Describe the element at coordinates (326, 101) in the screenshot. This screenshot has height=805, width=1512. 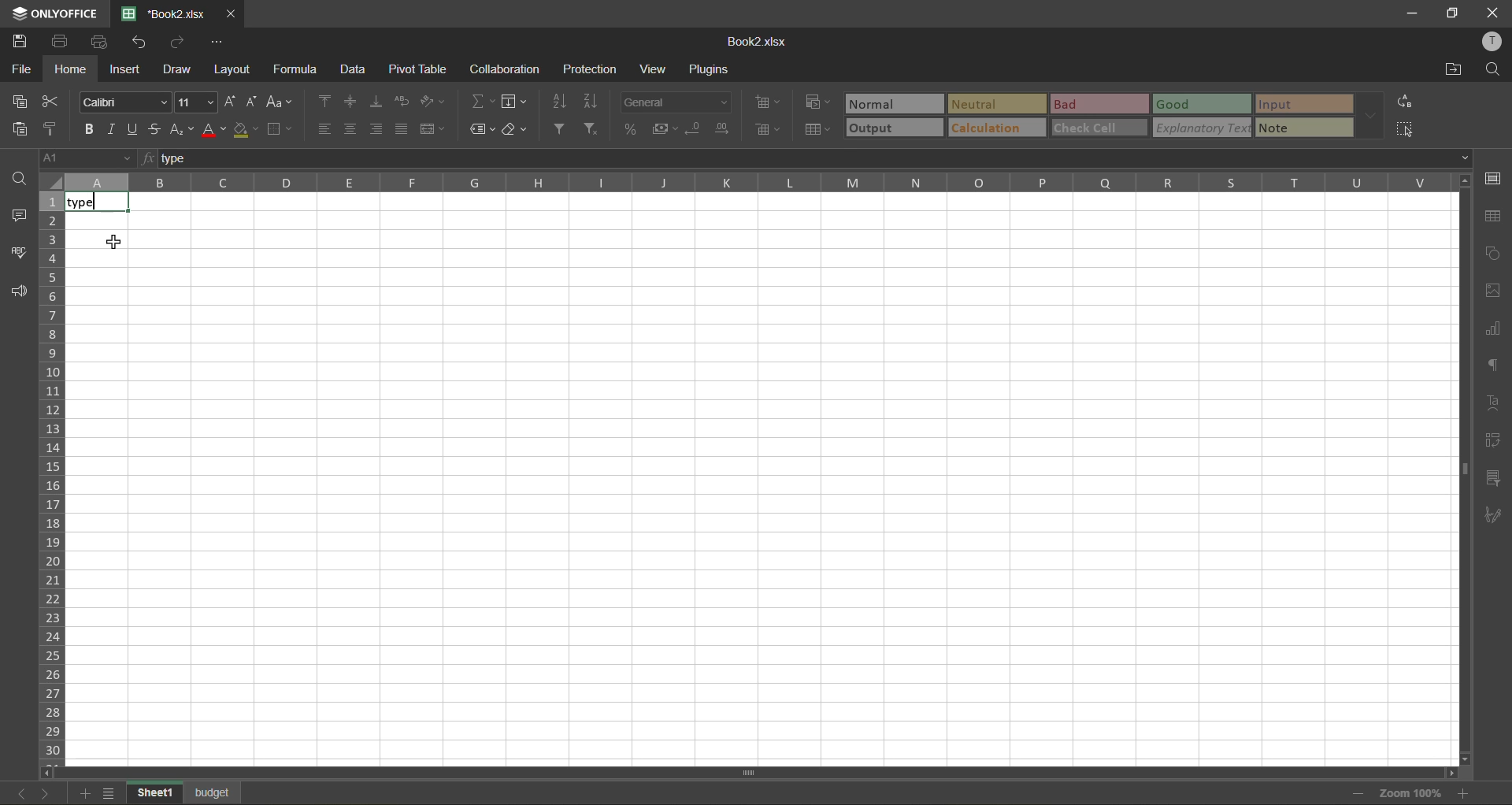
I see `align top` at that location.